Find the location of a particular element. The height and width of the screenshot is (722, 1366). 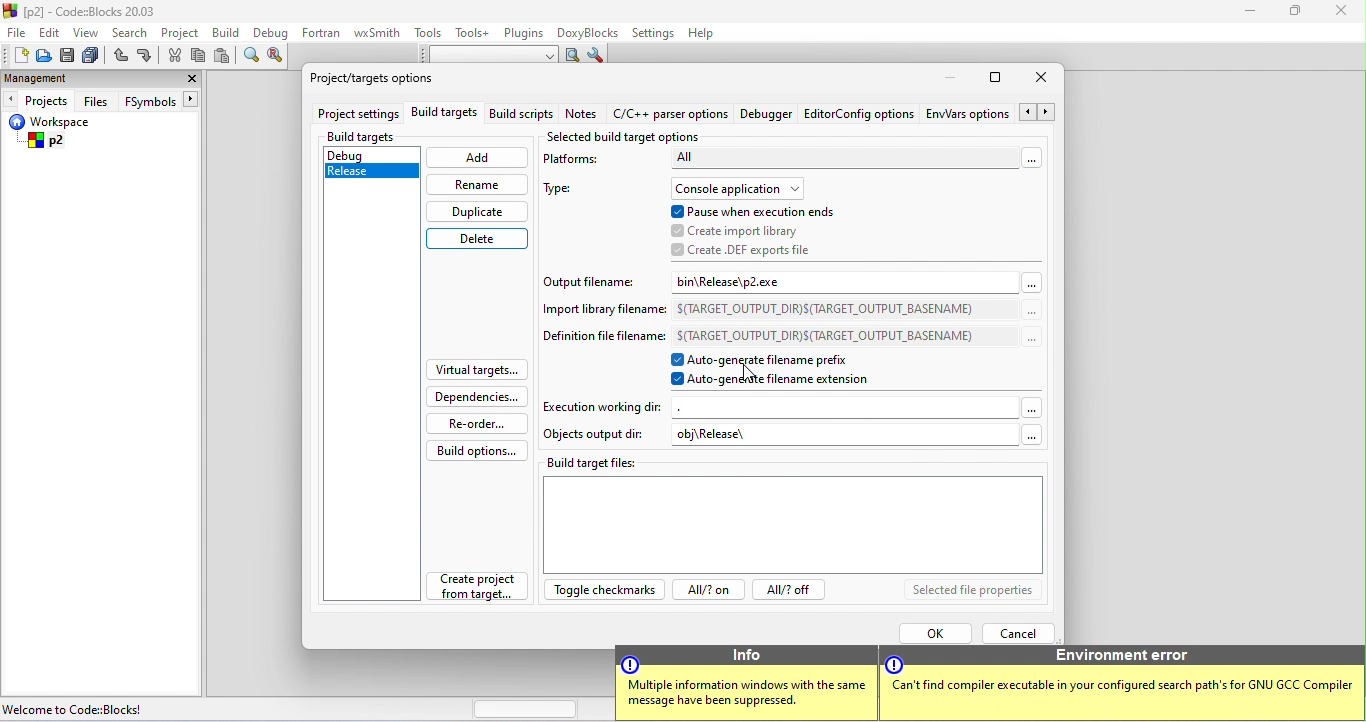

new is located at coordinates (15, 55).